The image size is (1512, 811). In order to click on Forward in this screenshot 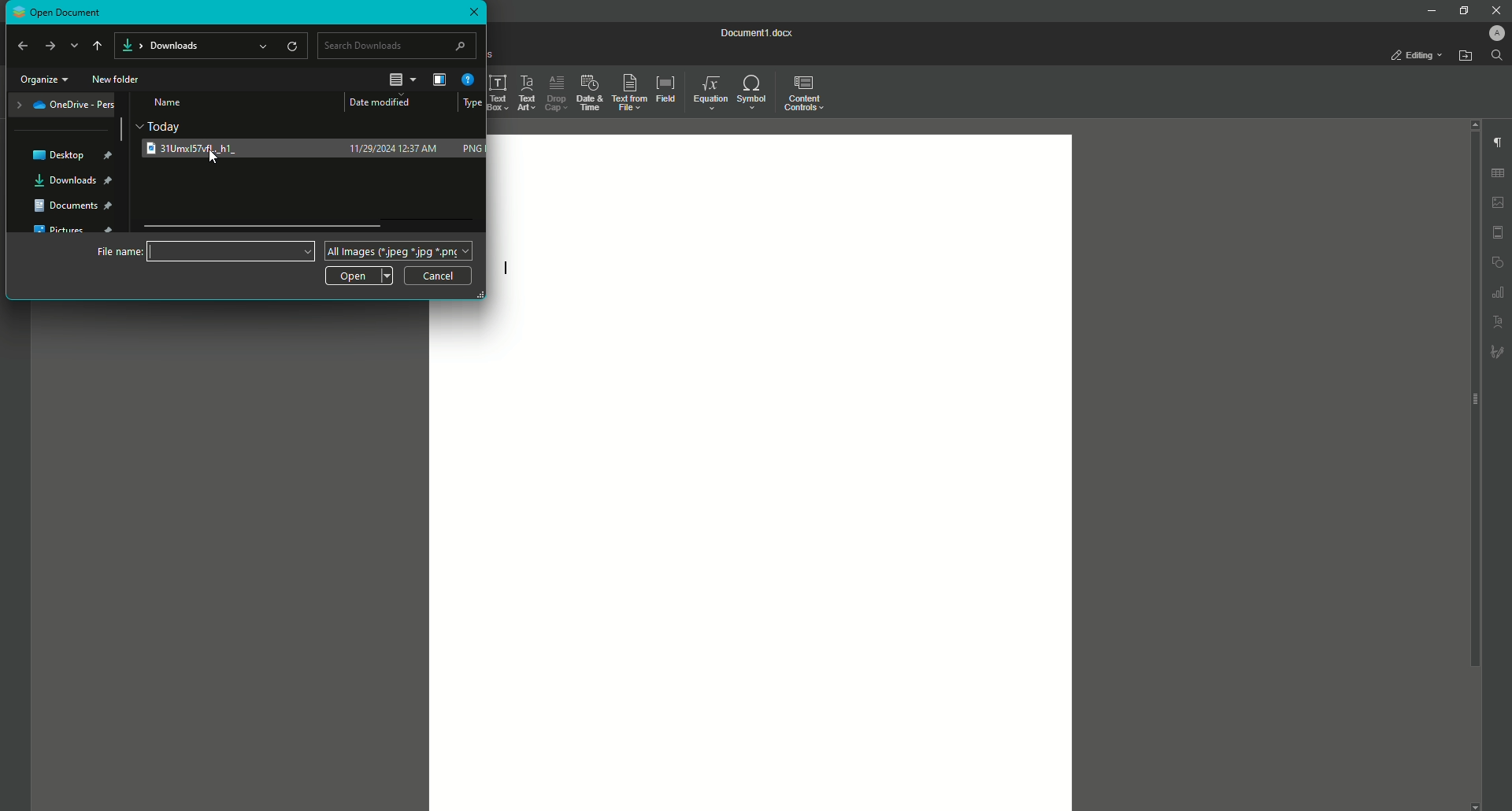, I will do `click(50, 46)`.